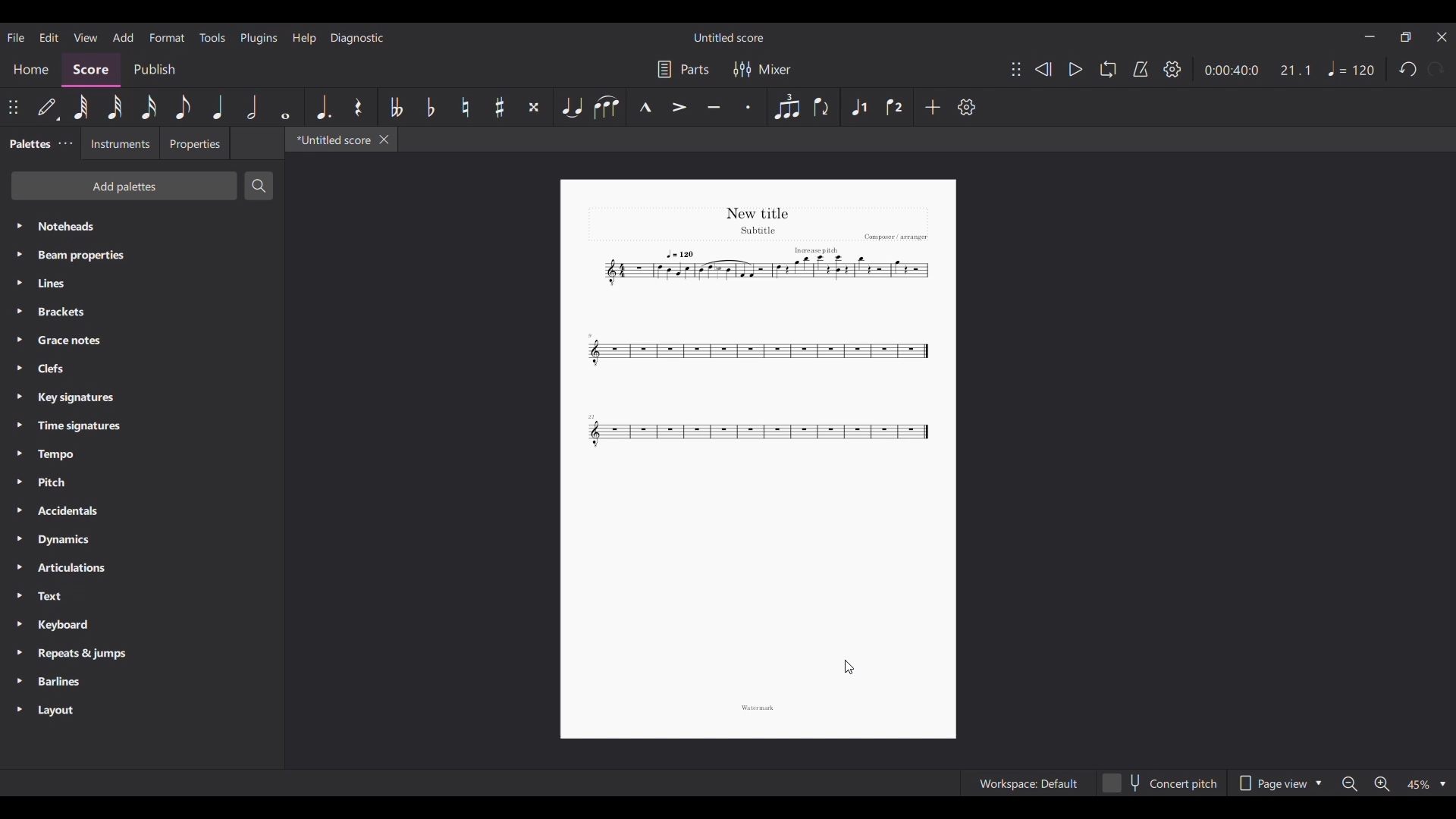 This screenshot has height=819, width=1456. What do you see at coordinates (143, 397) in the screenshot?
I see `Key signatures` at bounding box center [143, 397].